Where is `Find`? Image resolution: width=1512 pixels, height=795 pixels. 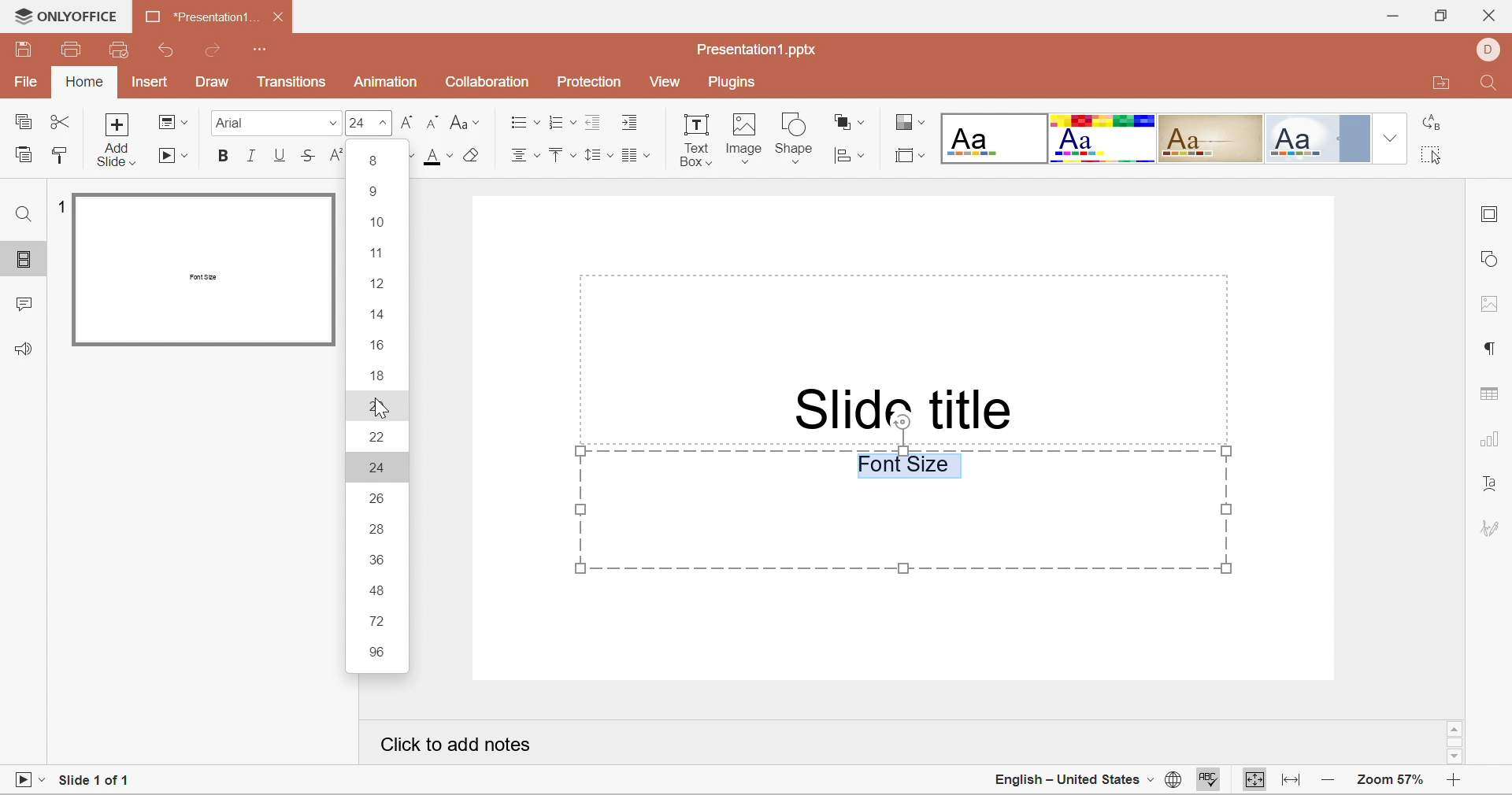
Find is located at coordinates (25, 212).